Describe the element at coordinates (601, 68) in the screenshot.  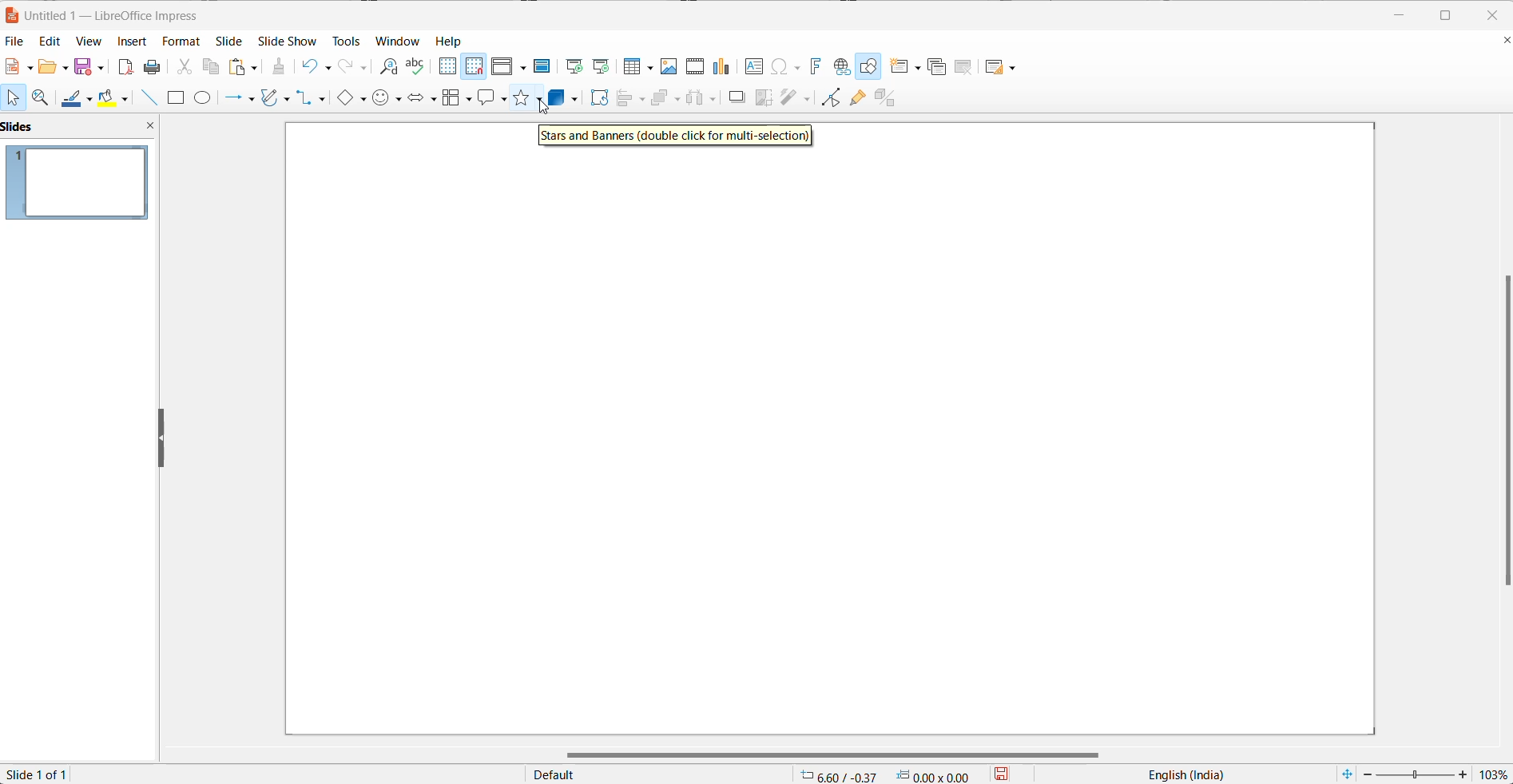
I see `start from current slide` at that location.